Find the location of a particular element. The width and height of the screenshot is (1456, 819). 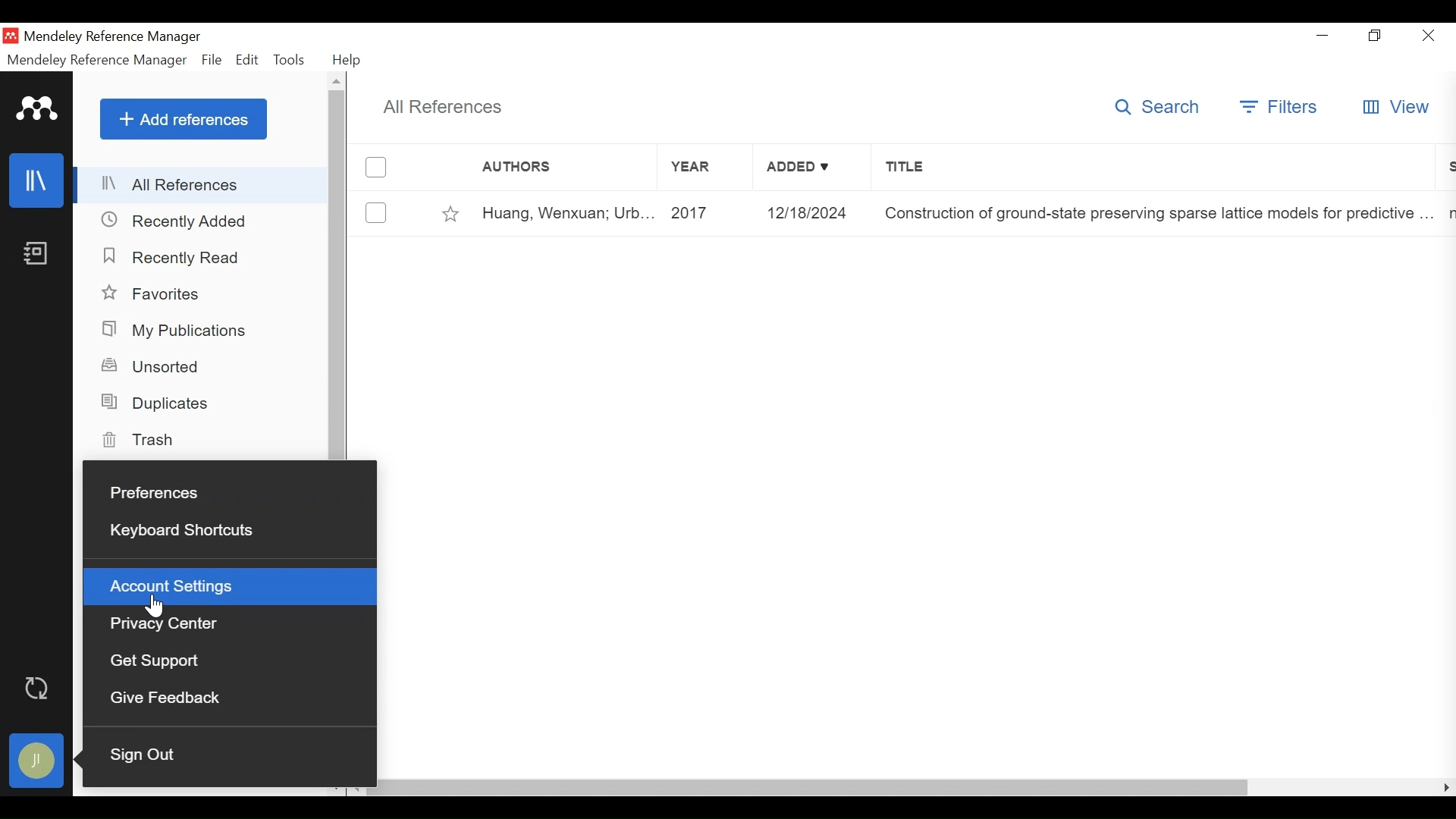

Privacy Center is located at coordinates (228, 623).